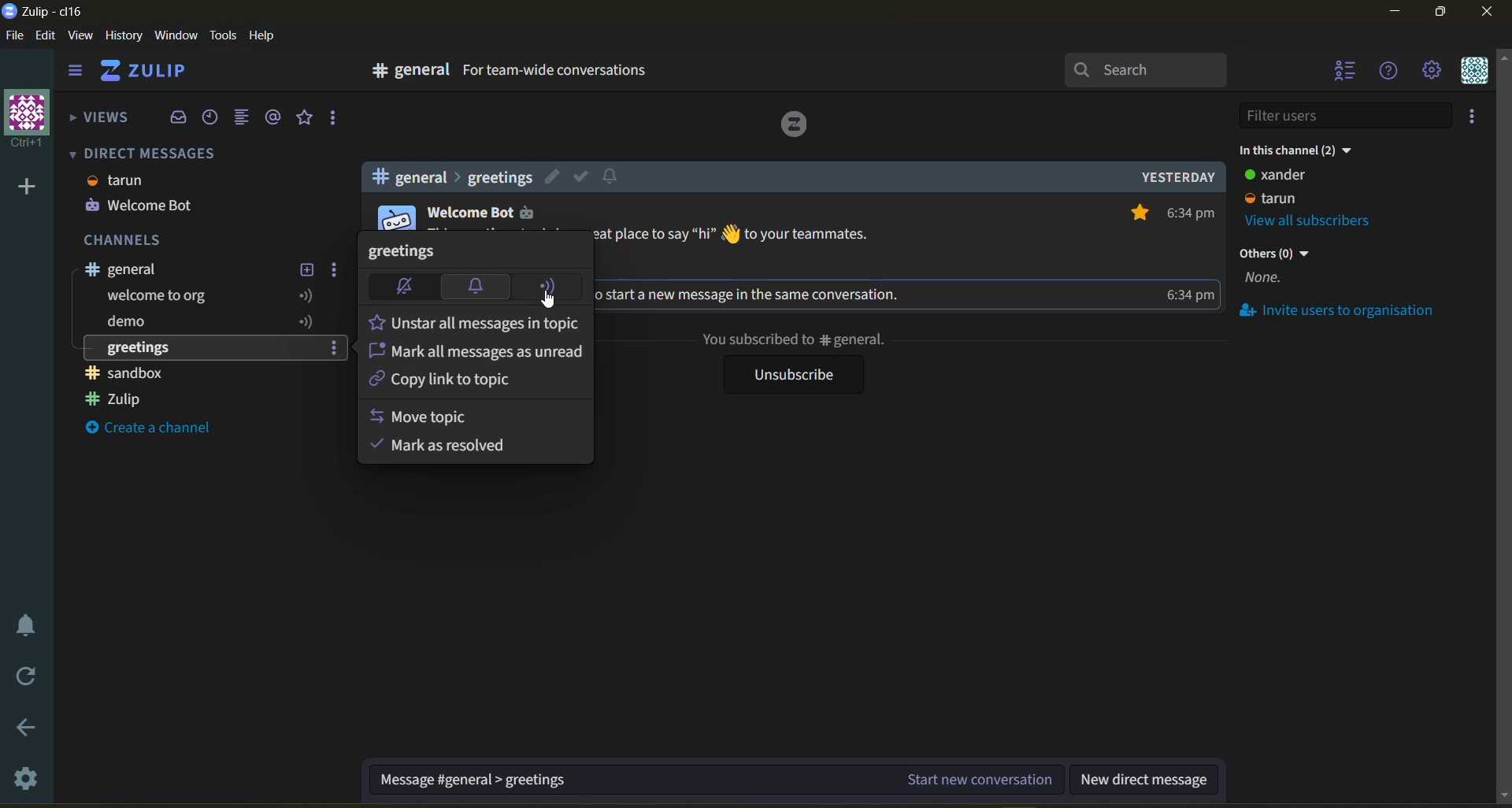  What do you see at coordinates (216, 118) in the screenshot?
I see `recent conversations` at bounding box center [216, 118].